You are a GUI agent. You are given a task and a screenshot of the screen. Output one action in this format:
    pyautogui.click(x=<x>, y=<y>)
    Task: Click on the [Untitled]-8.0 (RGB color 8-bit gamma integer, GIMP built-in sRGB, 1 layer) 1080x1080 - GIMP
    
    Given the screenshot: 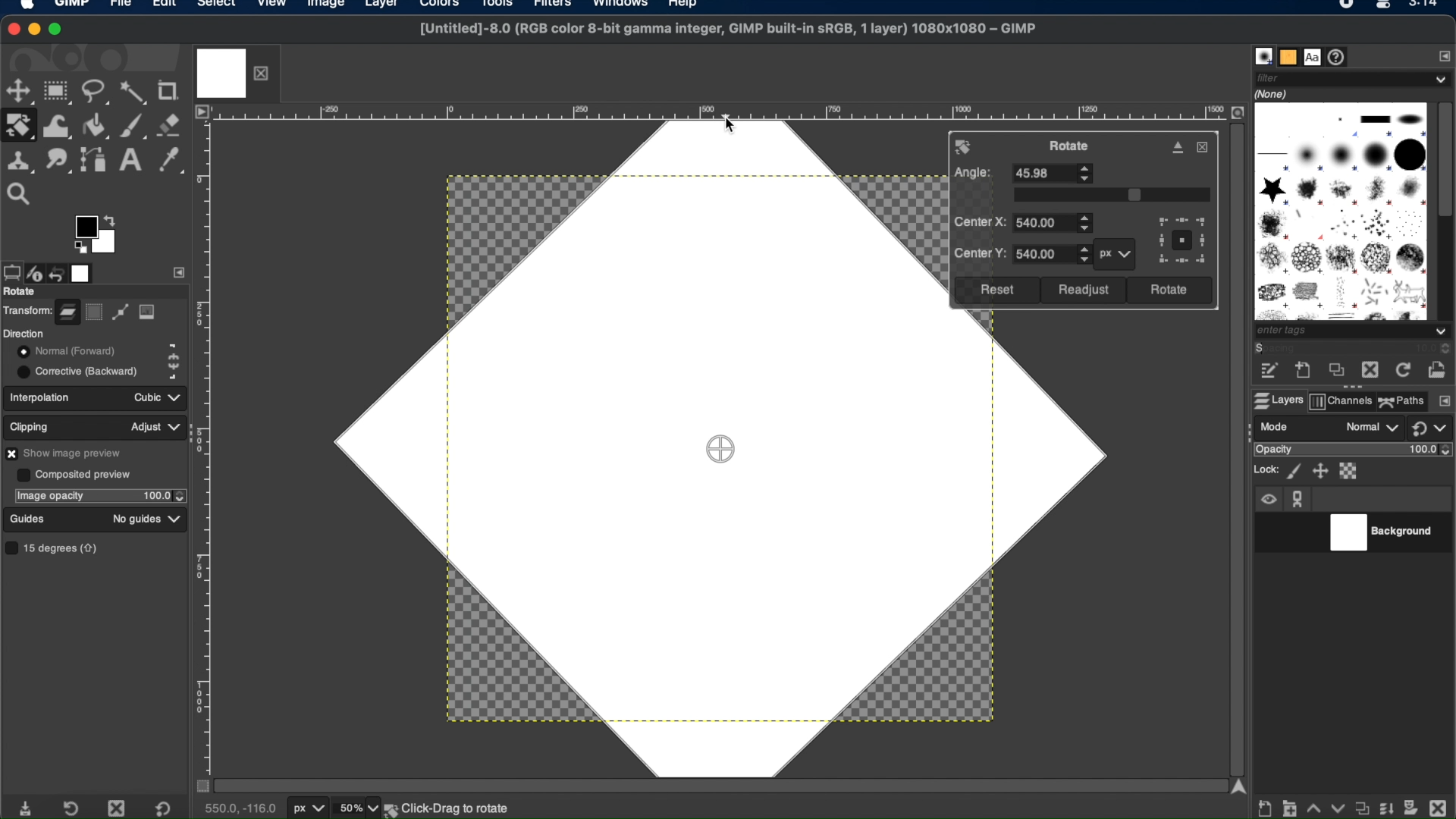 What is the action you would take?
    pyautogui.click(x=725, y=33)
    